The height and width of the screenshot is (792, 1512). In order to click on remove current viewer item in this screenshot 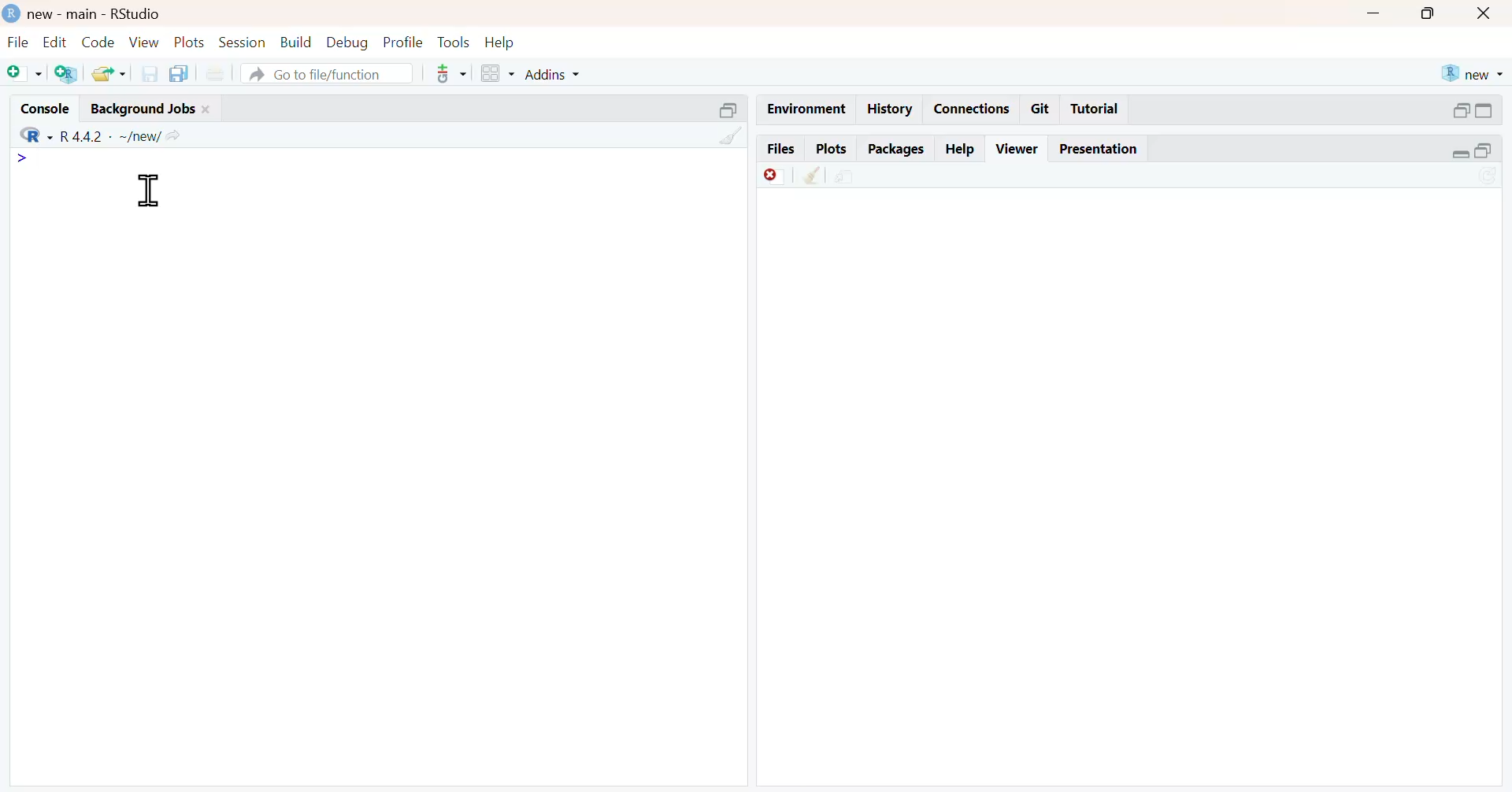, I will do `click(773, 176)`.